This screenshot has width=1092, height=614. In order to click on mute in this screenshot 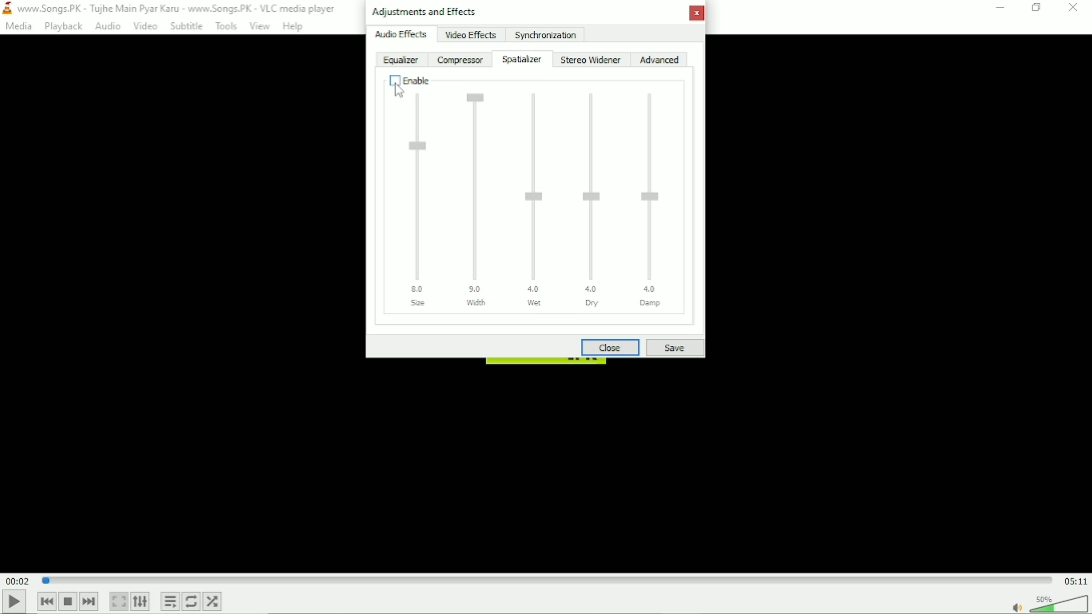, I will do `click(1019, 607)`.